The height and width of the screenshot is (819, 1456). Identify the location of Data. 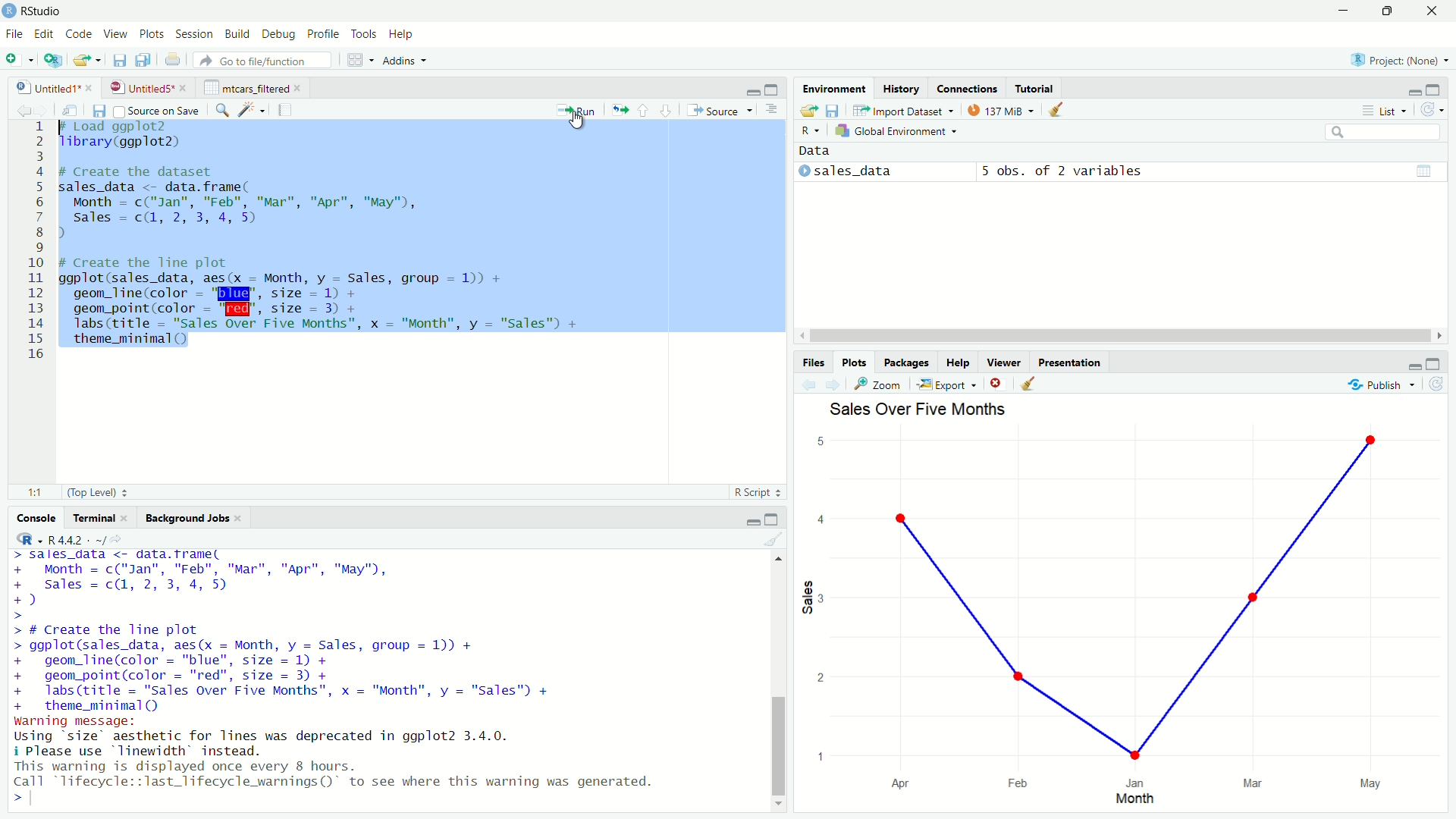
(814, 152).